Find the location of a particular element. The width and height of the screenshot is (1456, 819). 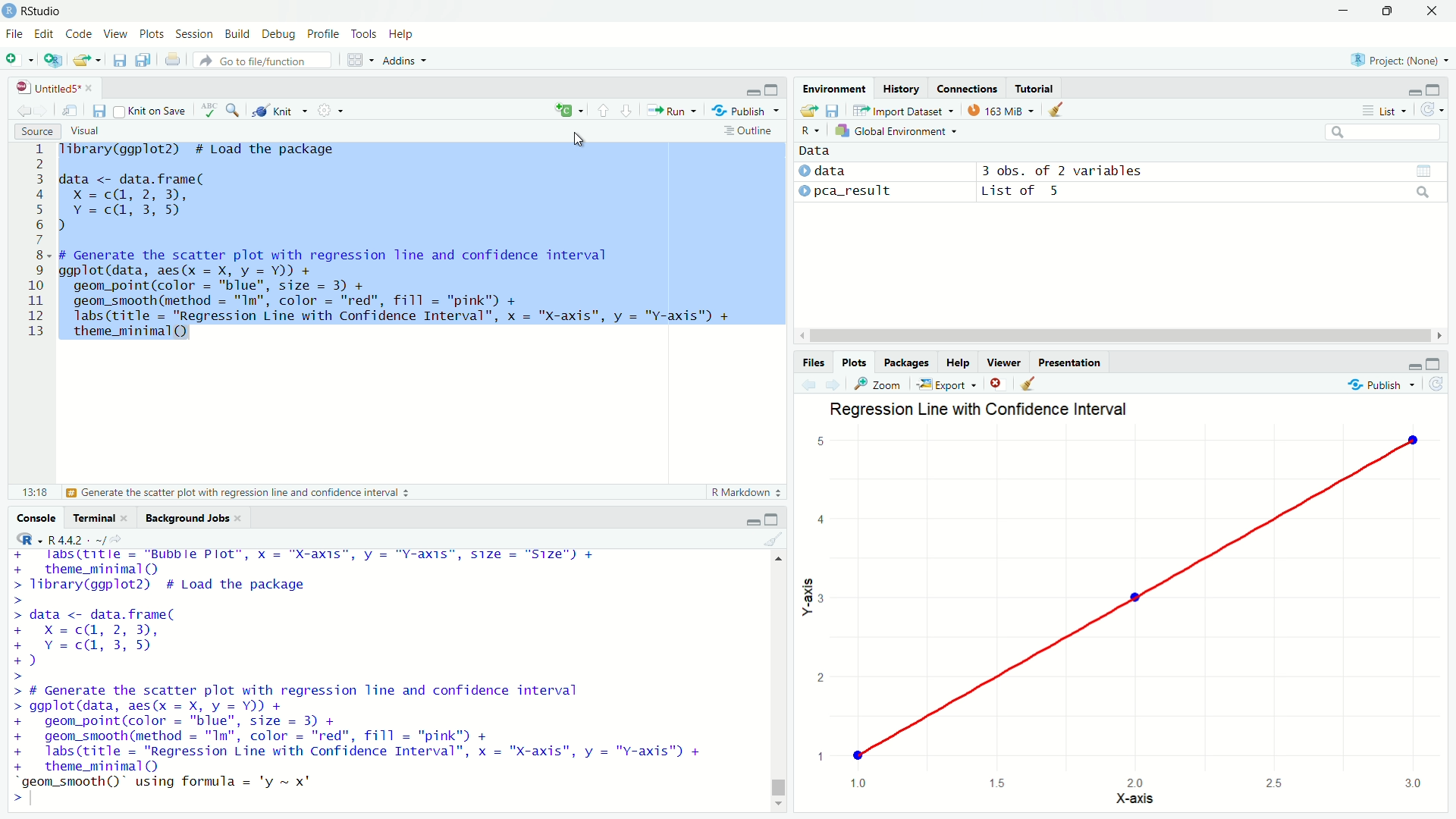

Publish is located at coordinates (747, 109).